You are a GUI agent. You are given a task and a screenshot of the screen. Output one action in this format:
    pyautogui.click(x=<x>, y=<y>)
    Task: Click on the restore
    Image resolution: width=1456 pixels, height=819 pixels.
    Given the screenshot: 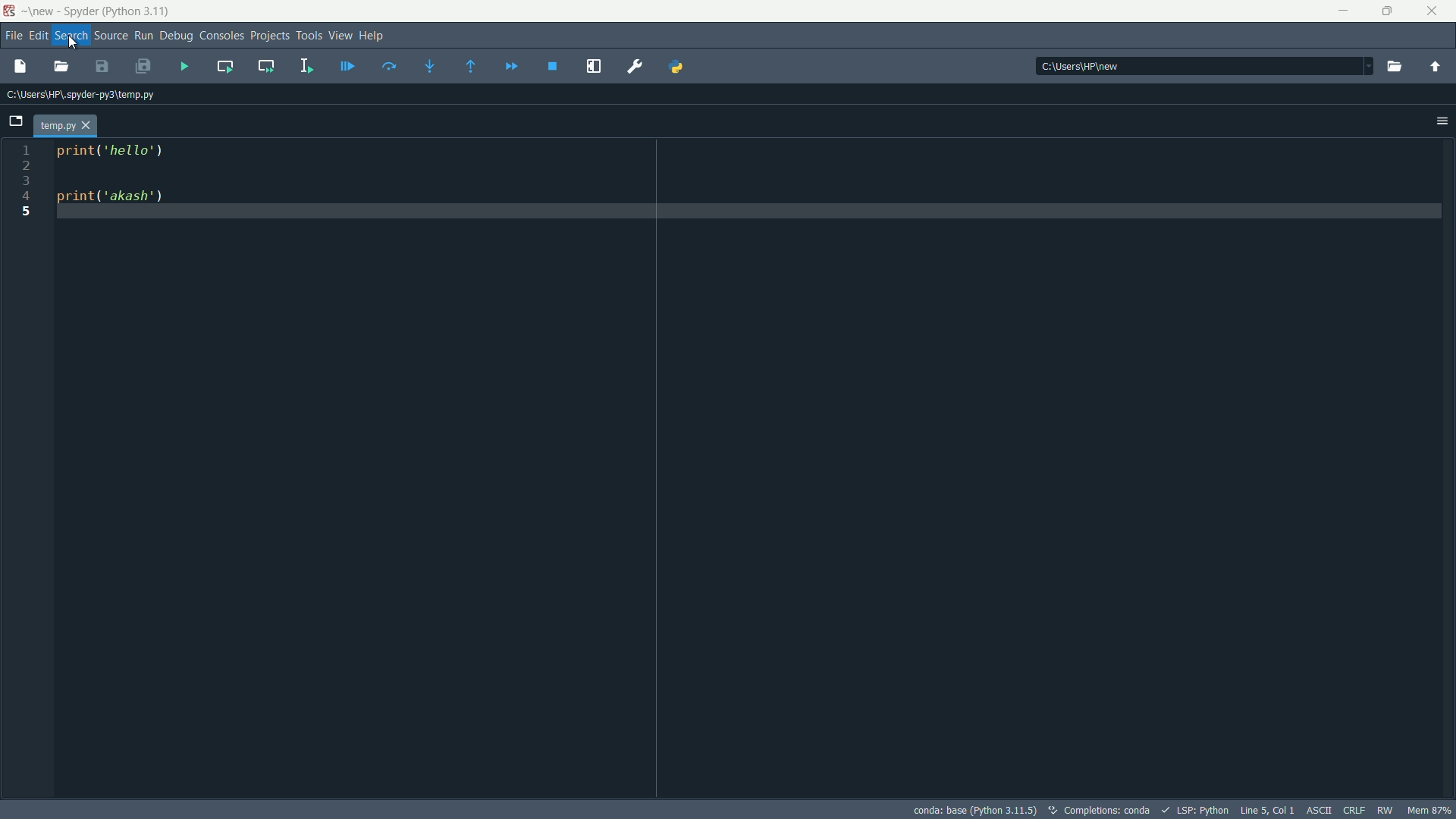 What is the action you would take?
    pyautogui.click(x=1392, y=11)
    